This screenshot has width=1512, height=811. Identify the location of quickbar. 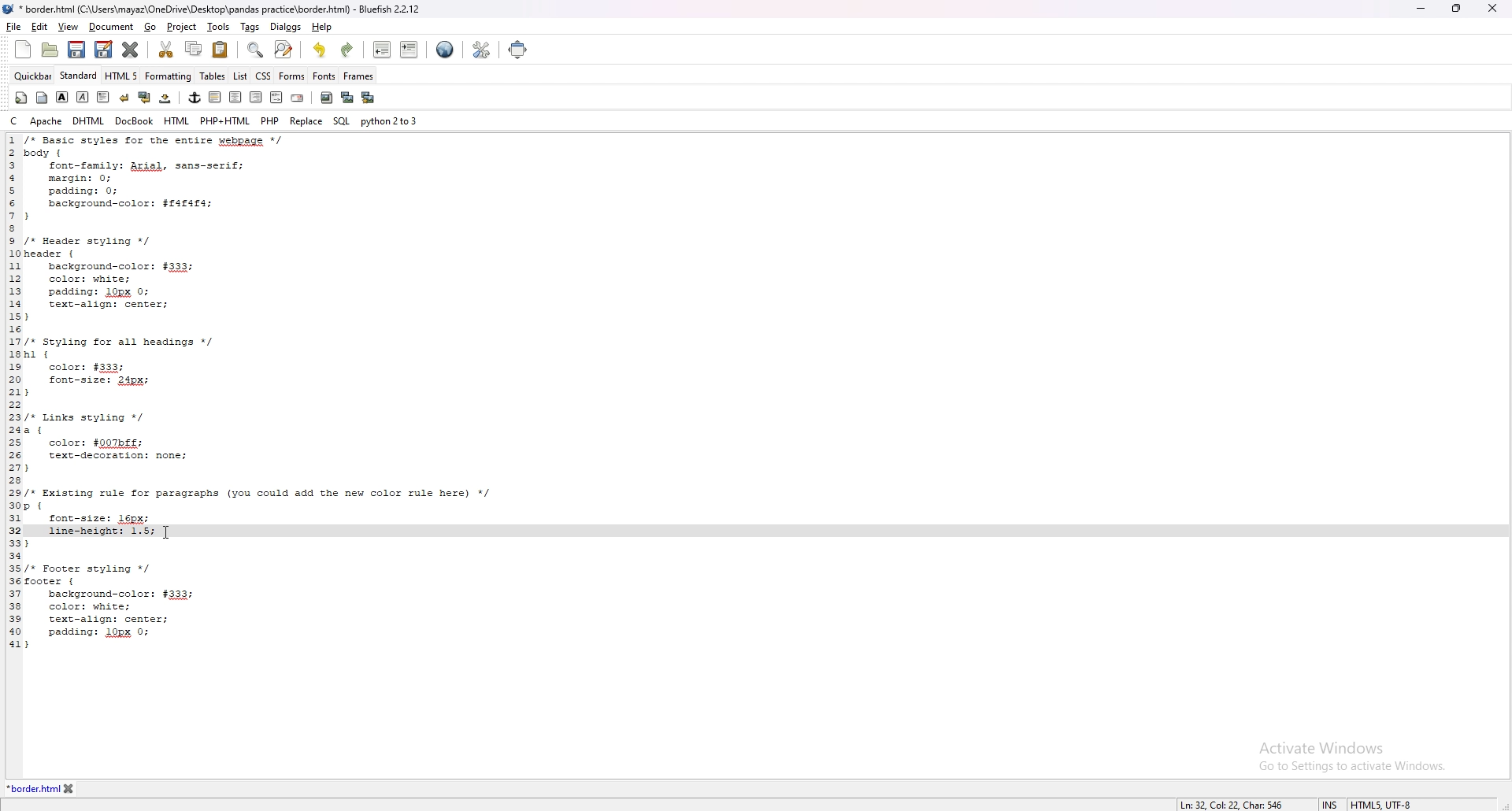
(34, 76).